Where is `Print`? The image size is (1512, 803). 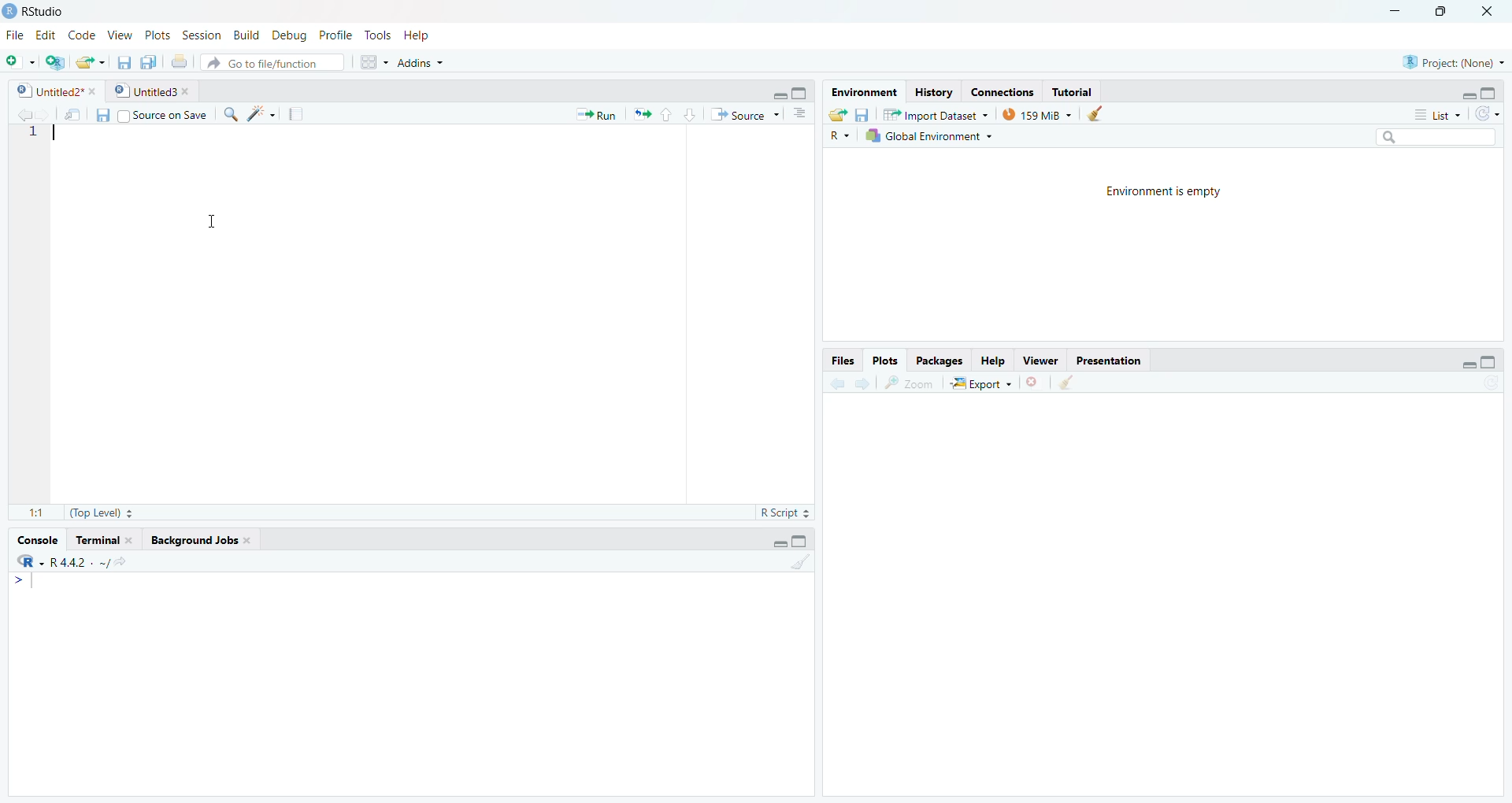
Print is located at coordinates (180, 62).